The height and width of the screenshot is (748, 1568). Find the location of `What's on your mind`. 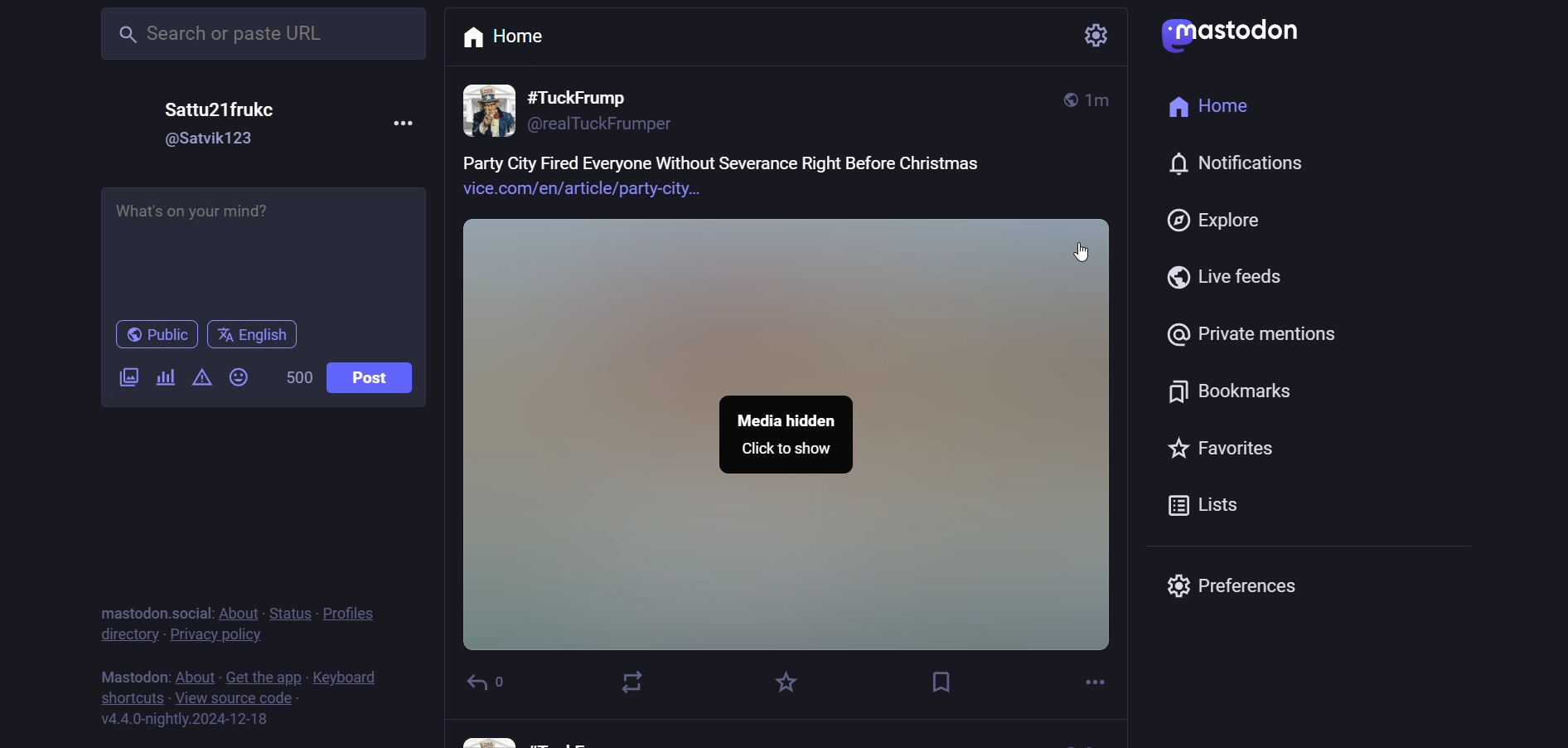

What's on your mind is located at coordinates (263, 244).